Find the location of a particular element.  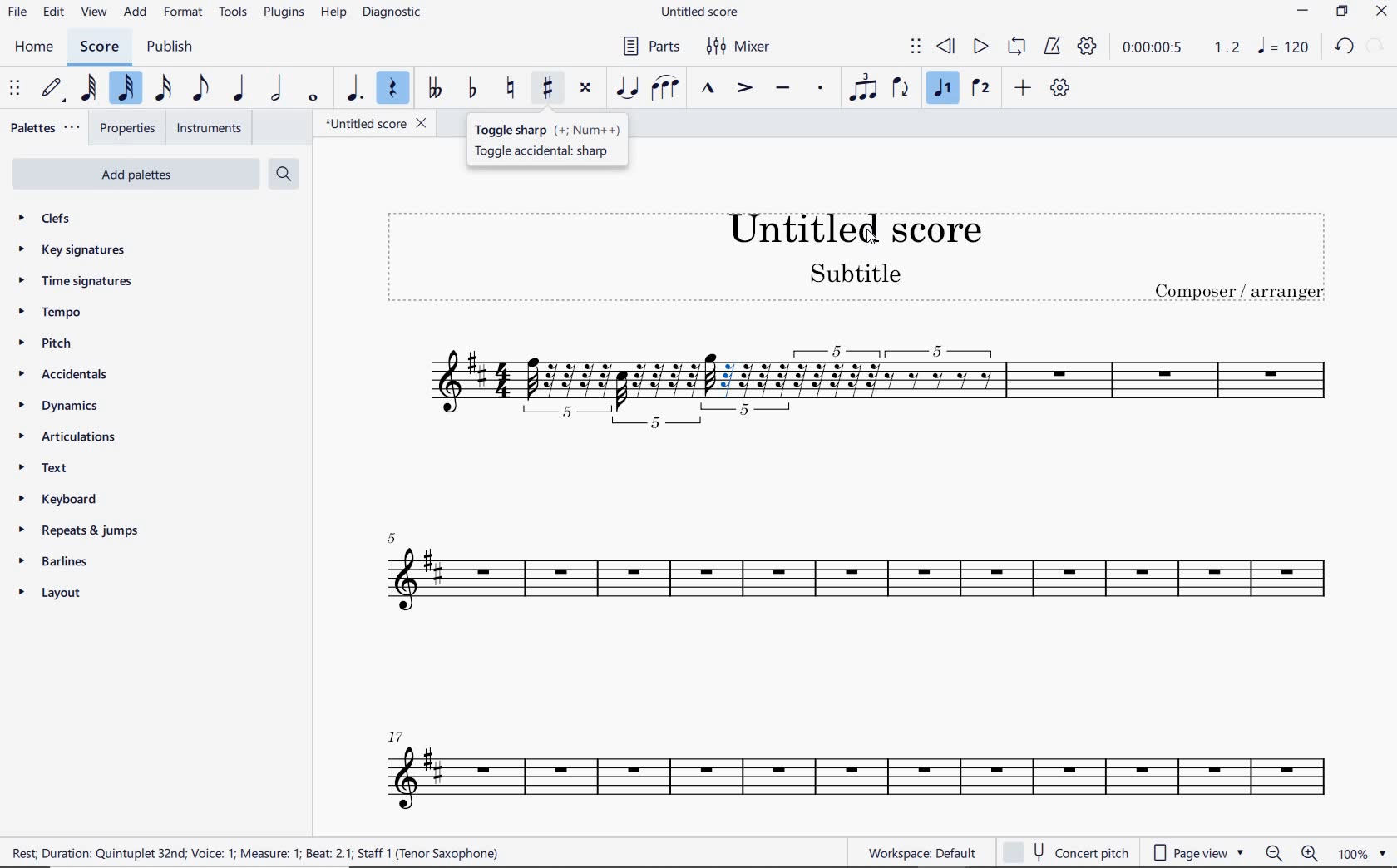

TOGGLE DOUBLE-SHARP is located at coordinates (585, 87).